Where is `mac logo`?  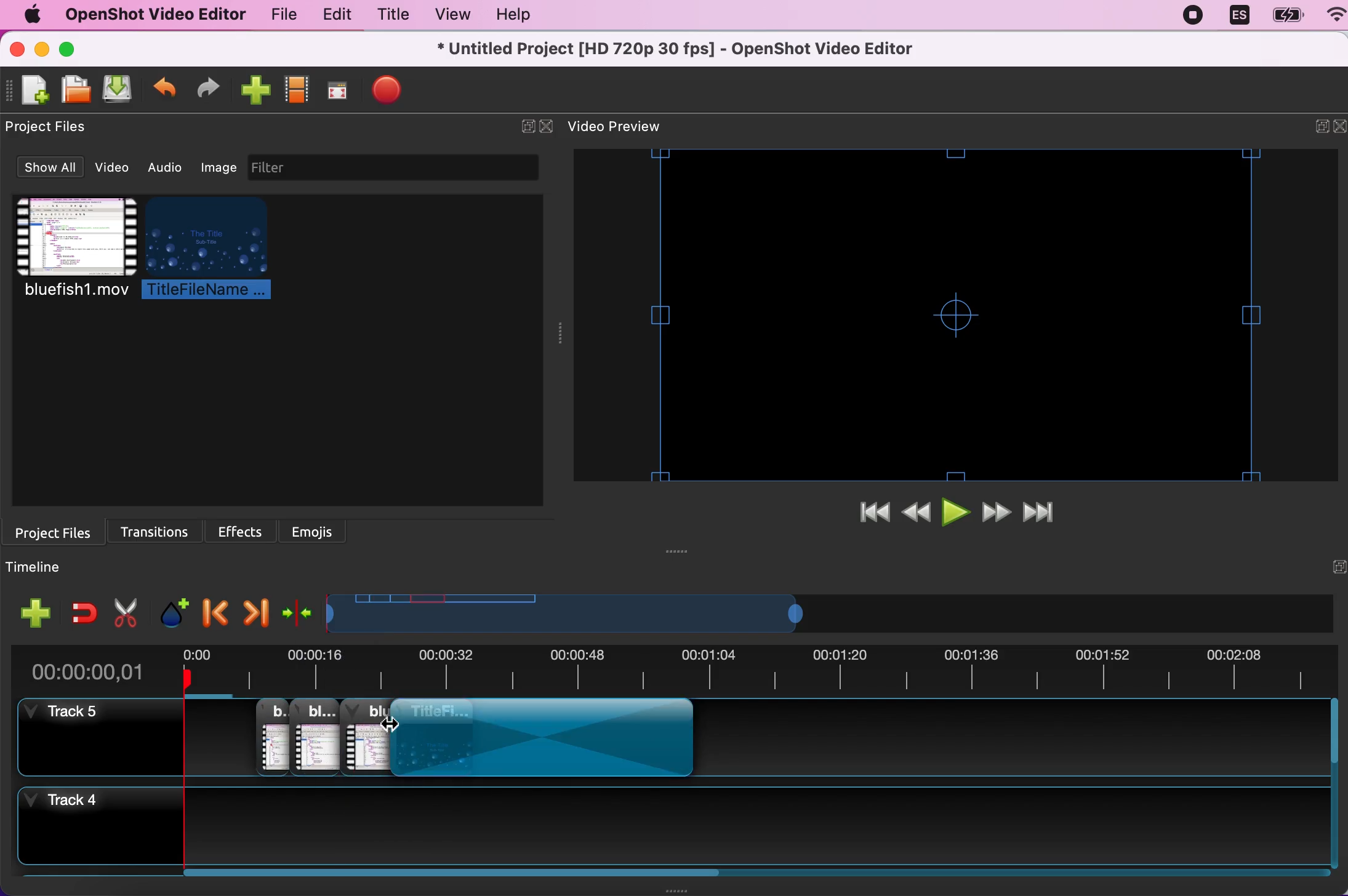
mac logo is located at coordinates (28, 15).